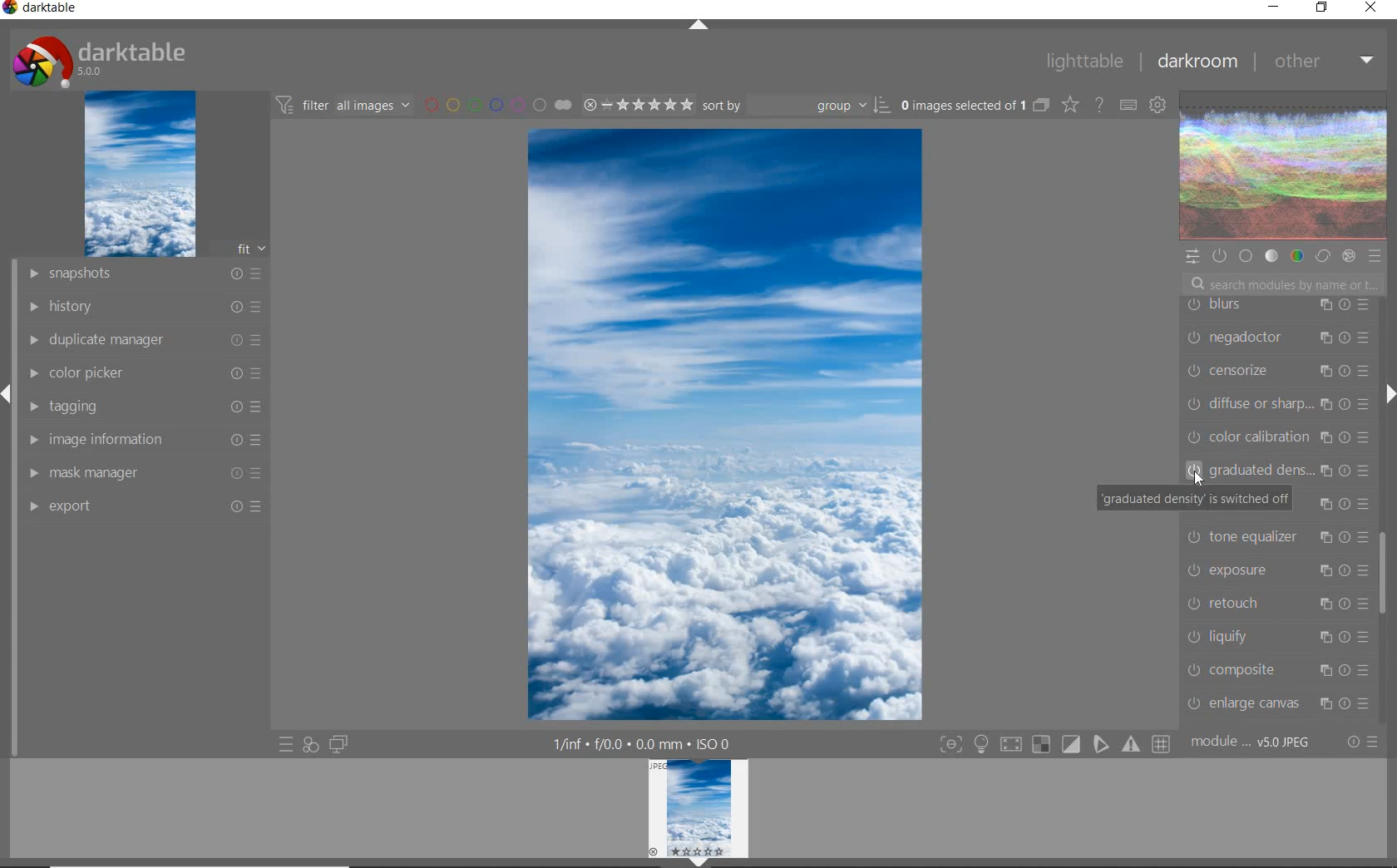  I want to click on exposure, so click(1276, 570).